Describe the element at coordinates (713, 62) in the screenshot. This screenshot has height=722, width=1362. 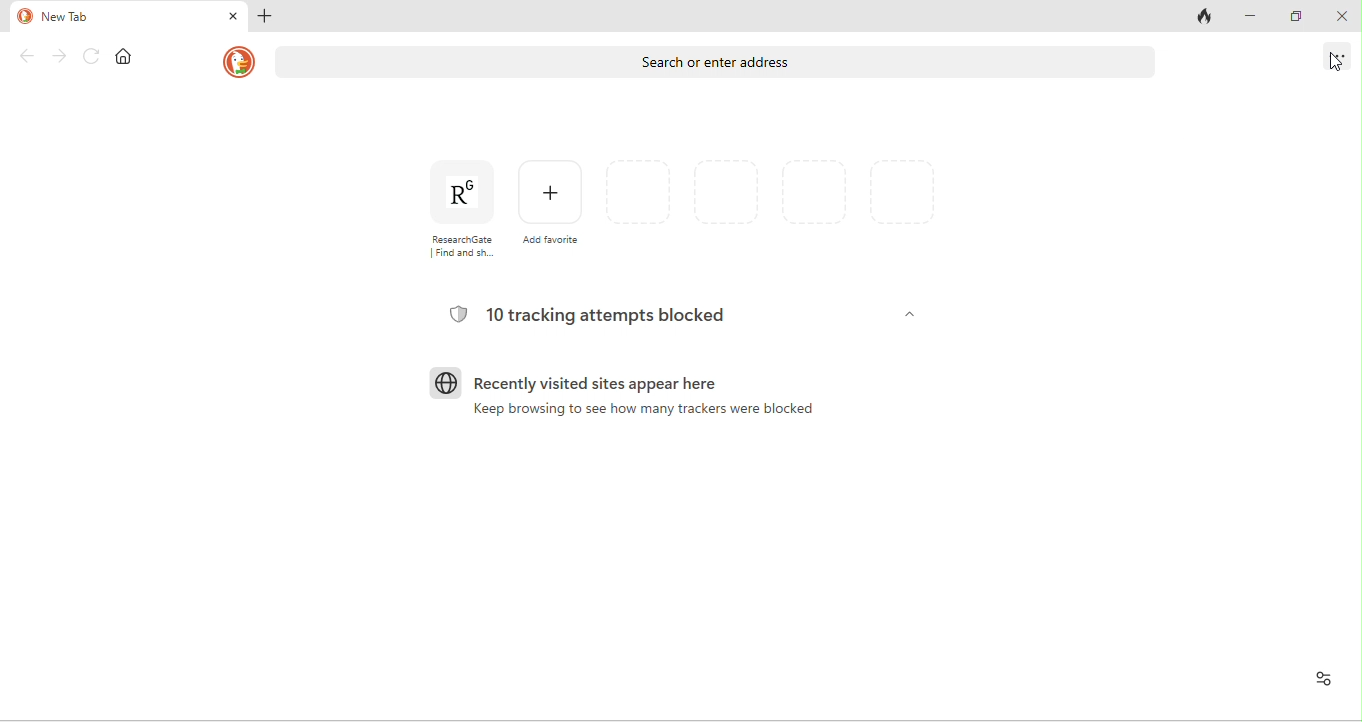
I see `search or enter address` at that location.